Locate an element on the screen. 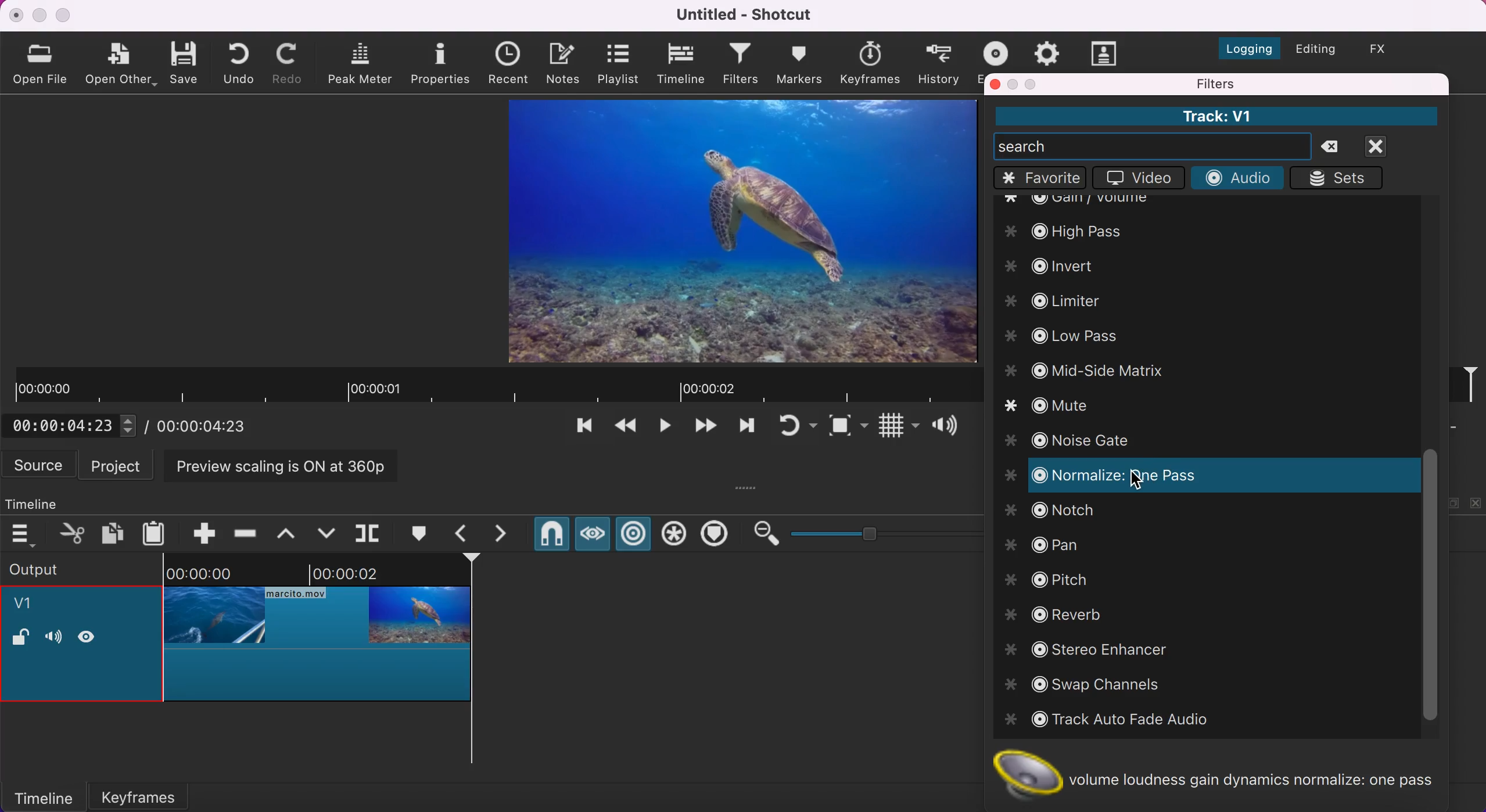  output is located at coordinates (65, 568).